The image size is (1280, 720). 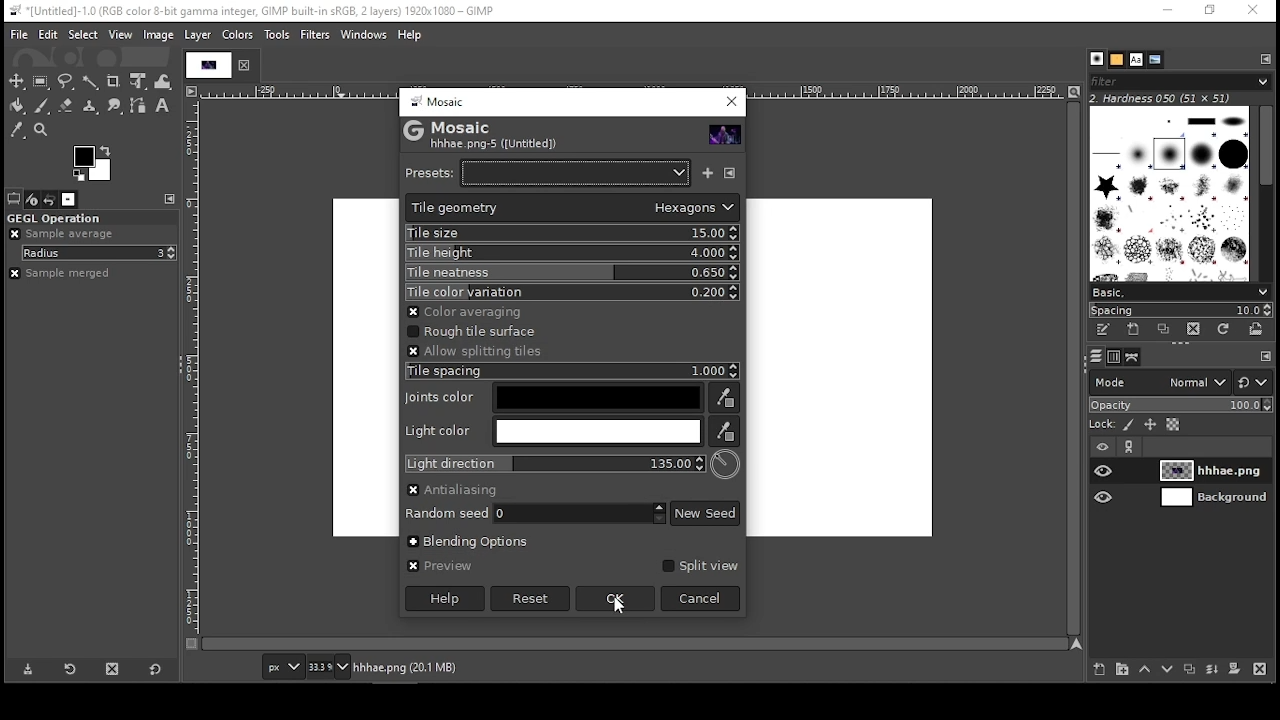 I want to click on tile size, so click(x=571, y=233).